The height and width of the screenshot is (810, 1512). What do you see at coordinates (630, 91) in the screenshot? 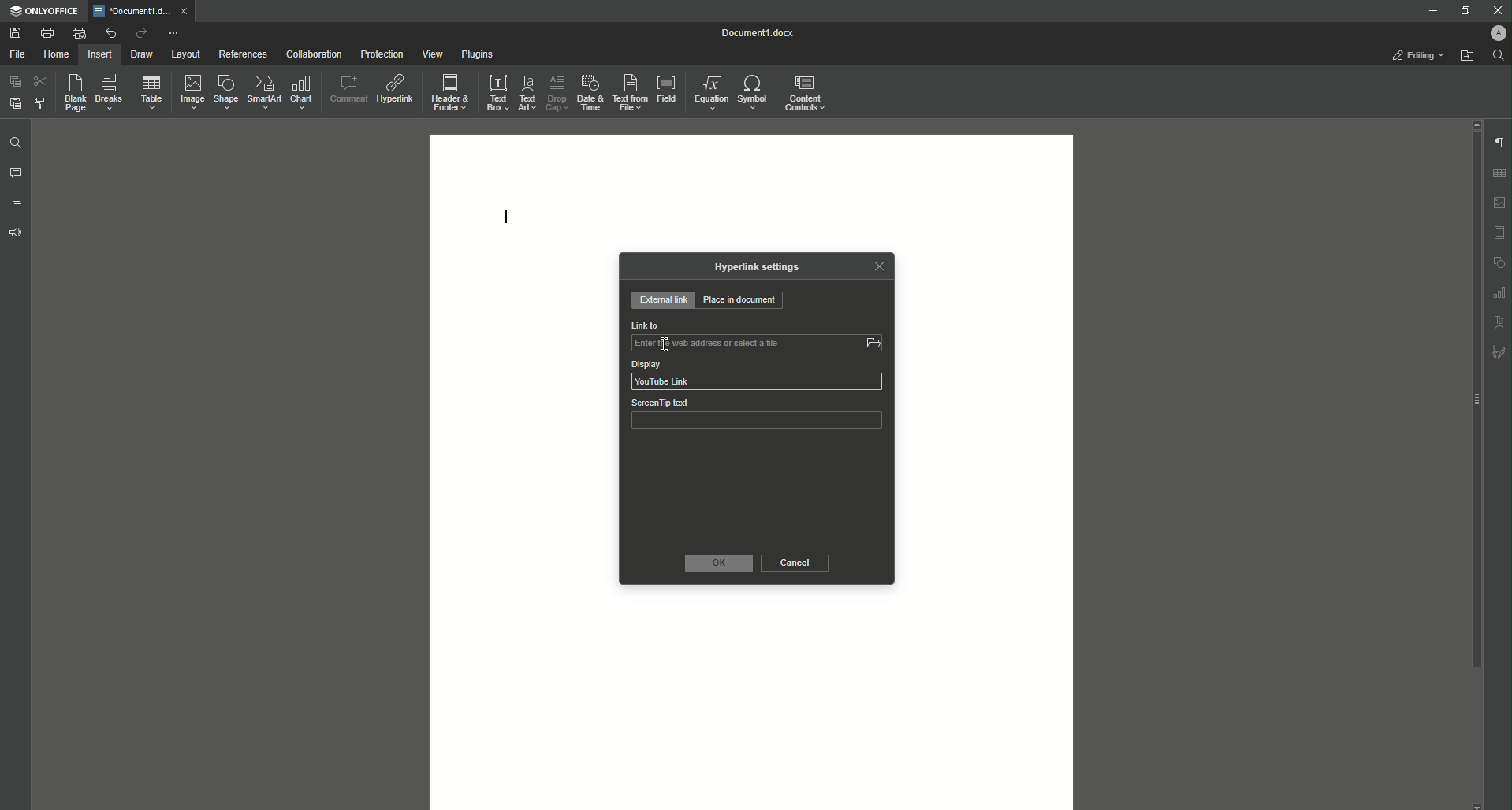
I see `Text From File` at bounding box center [630, 91].